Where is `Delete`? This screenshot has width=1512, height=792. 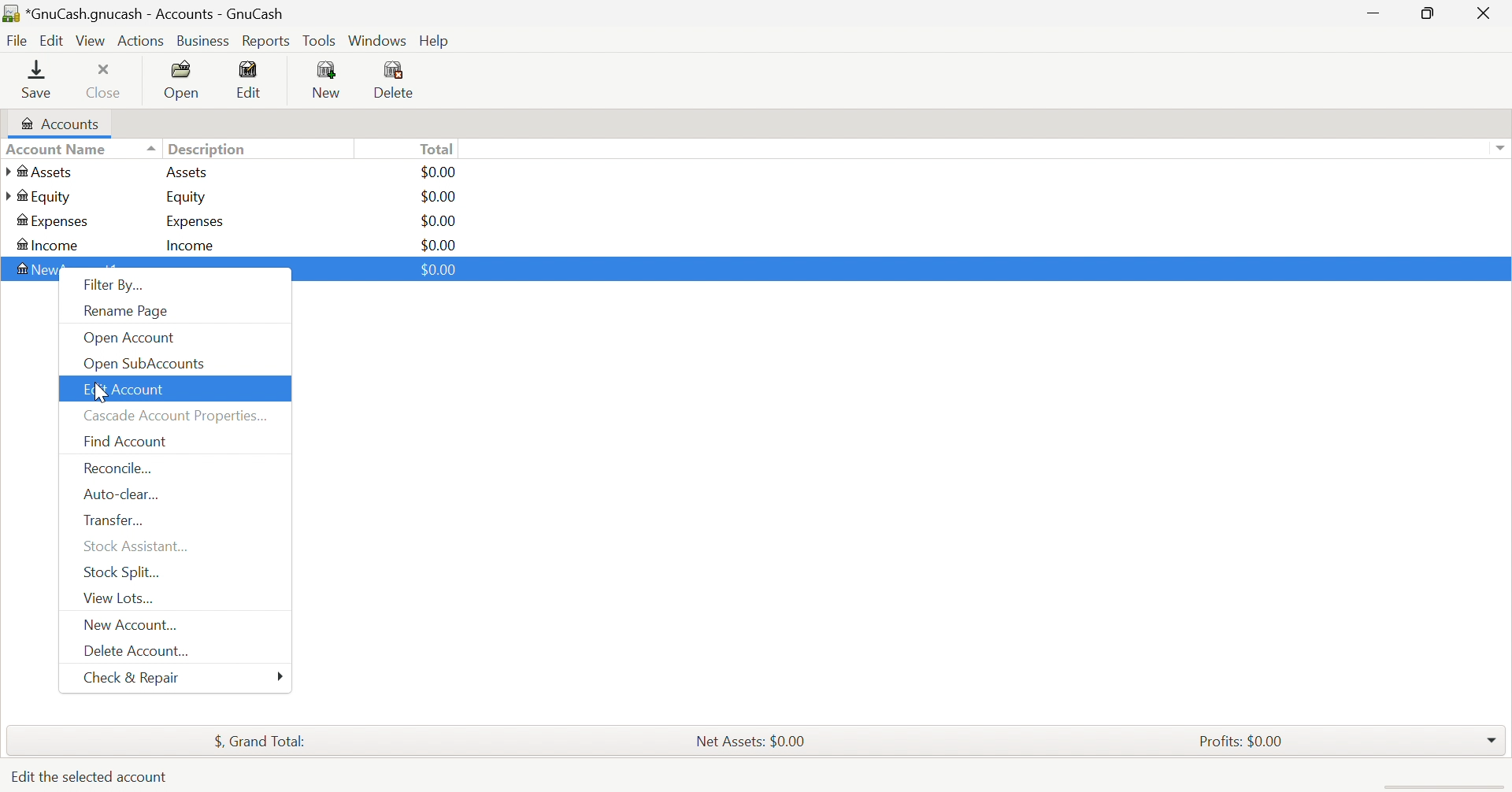 Delete is located at coordinates (405, 80).